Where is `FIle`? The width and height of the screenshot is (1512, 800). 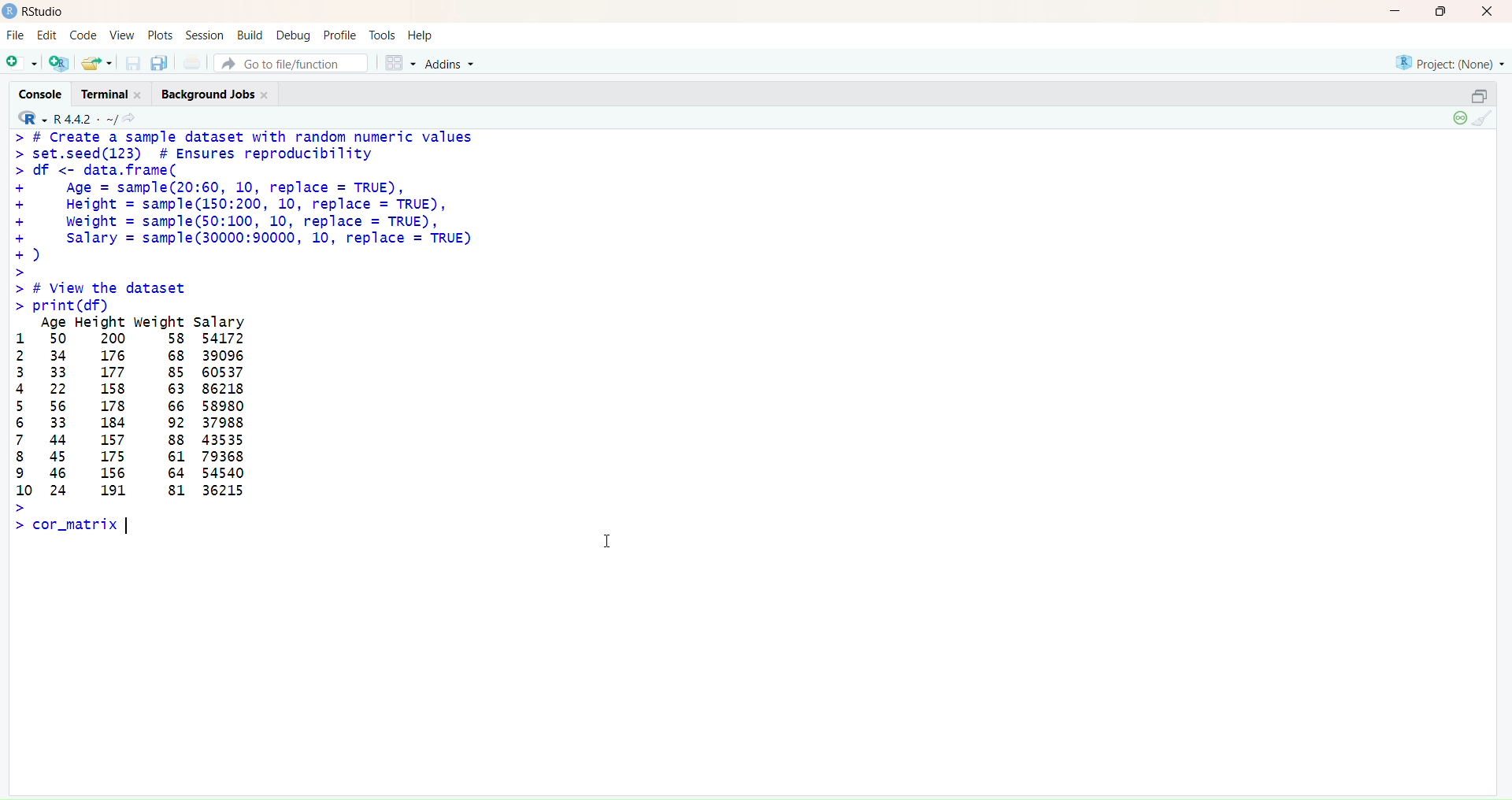 FIle is located at coordinates (16, 35).